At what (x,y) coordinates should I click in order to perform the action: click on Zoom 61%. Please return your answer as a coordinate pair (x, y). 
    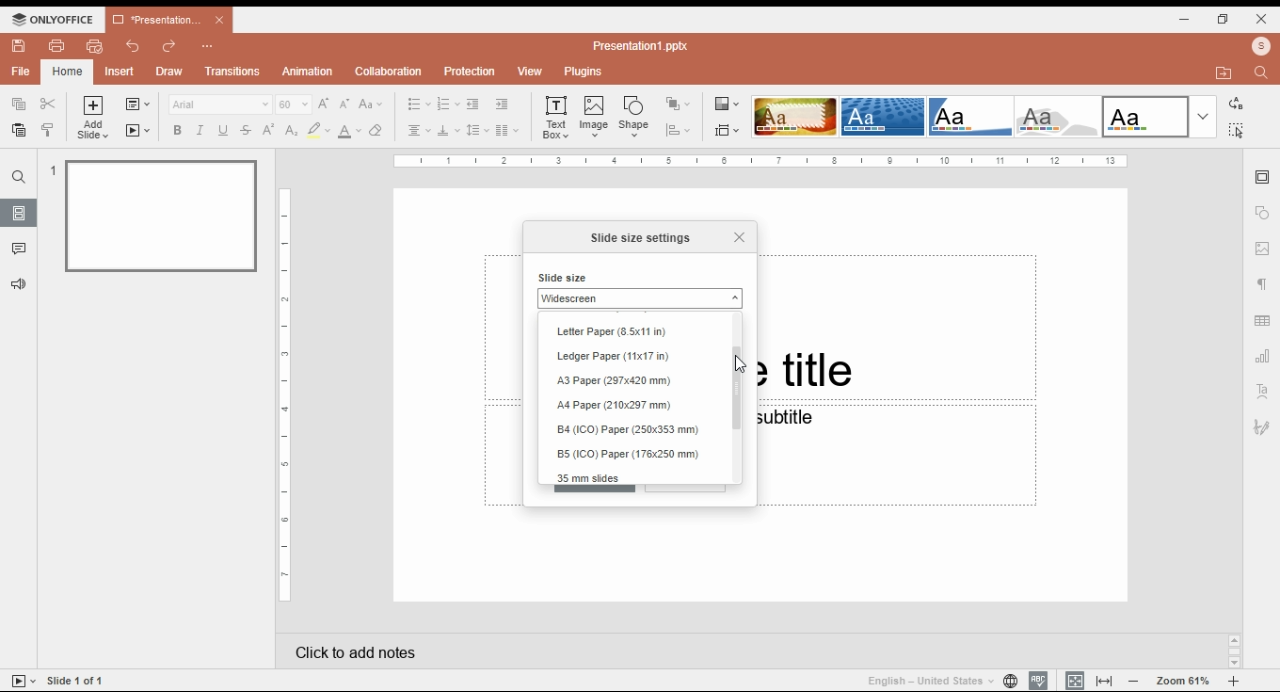
    Looking at the image, I should click on (1185, 679).